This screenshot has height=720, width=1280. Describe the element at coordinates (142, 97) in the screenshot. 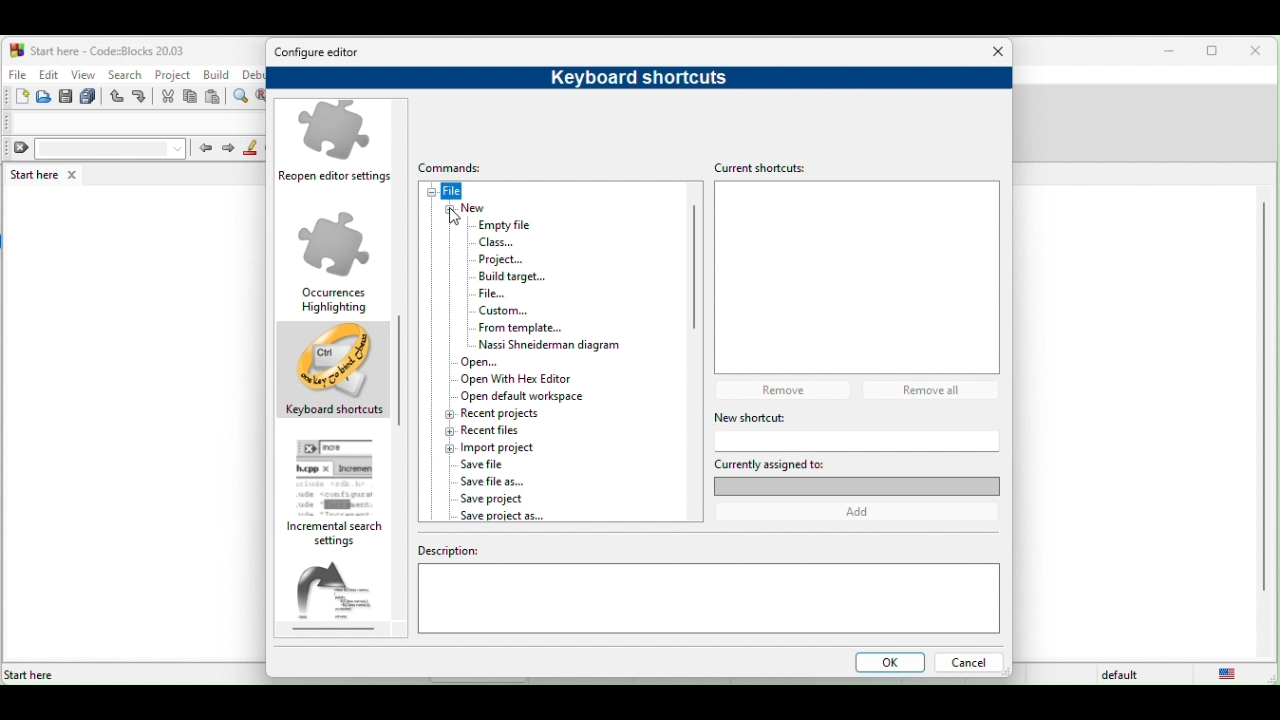

I see `redo` at that location.